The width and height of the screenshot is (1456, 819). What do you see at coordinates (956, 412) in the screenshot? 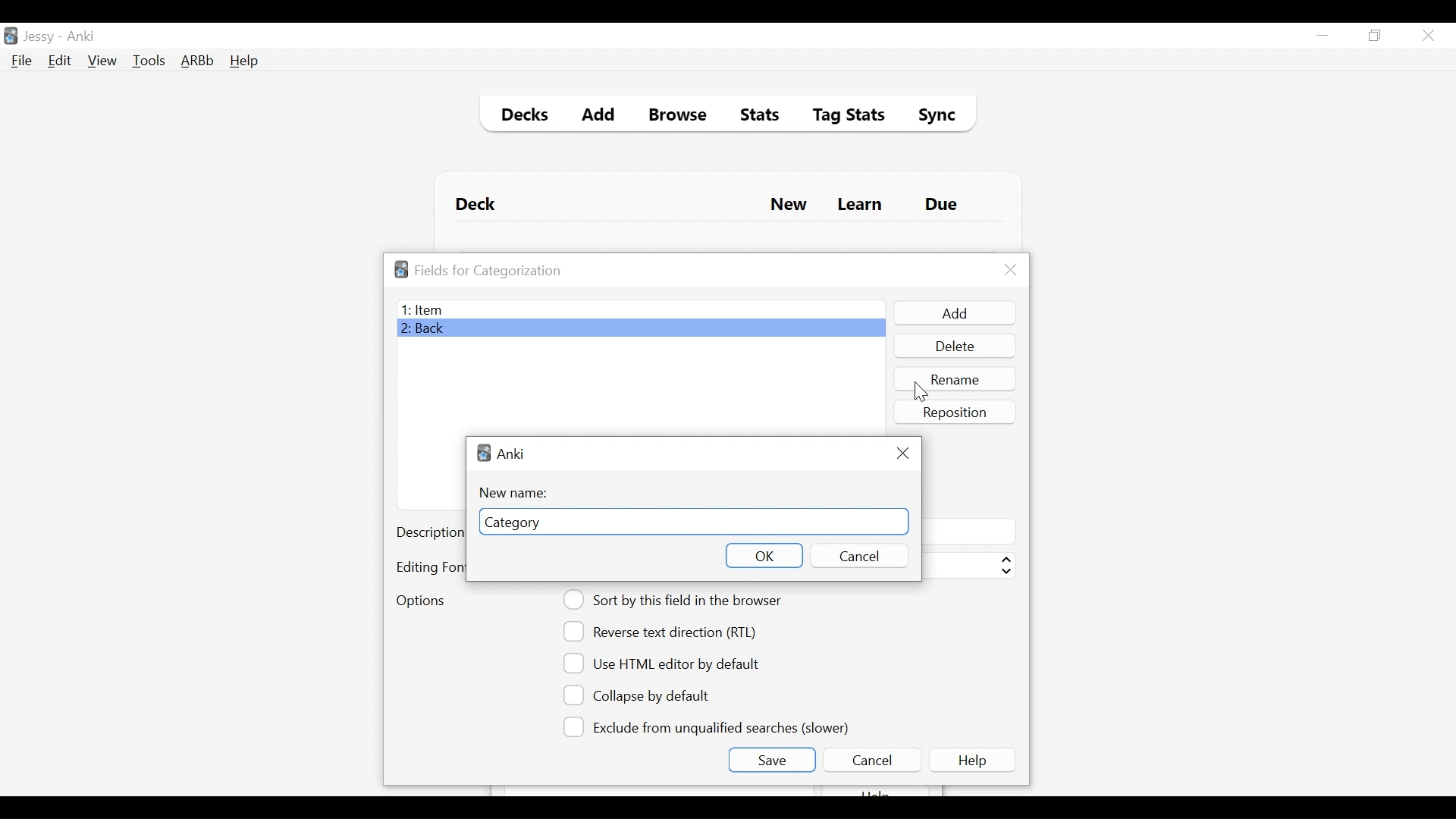
I see `Reposition` at bounding box center [956, 412].